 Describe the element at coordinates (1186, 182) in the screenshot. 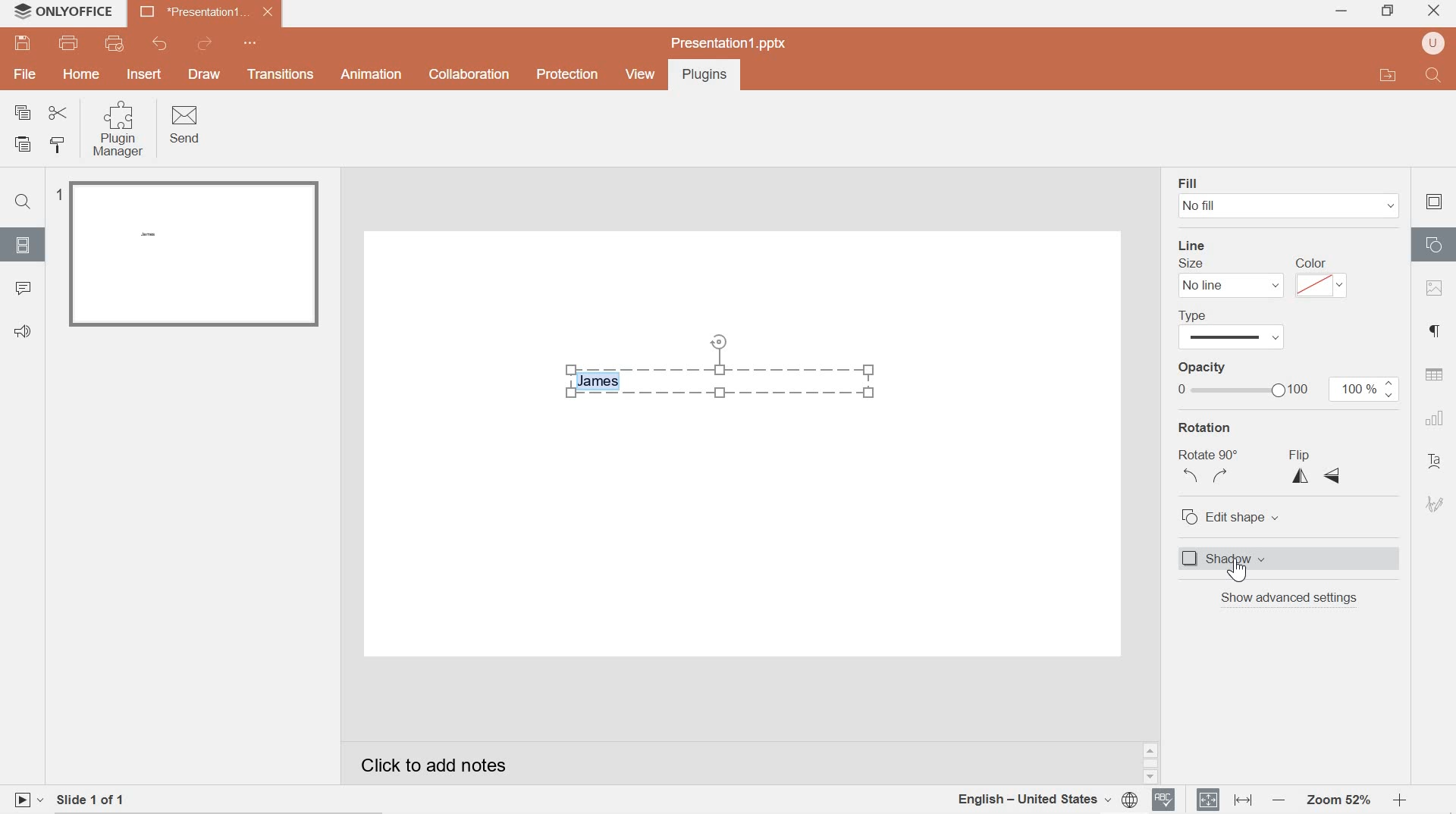

I see `fill` at that location.